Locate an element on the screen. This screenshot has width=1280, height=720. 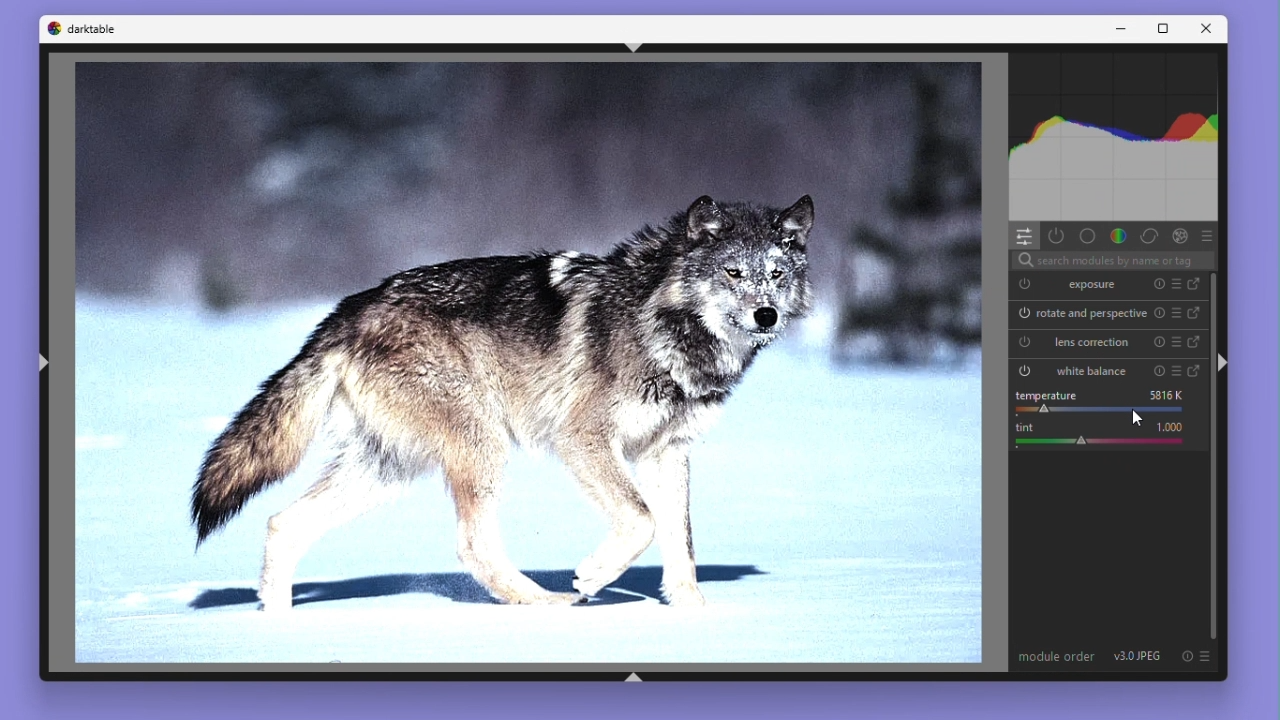
Reset is located at coordinates (1154, 369).